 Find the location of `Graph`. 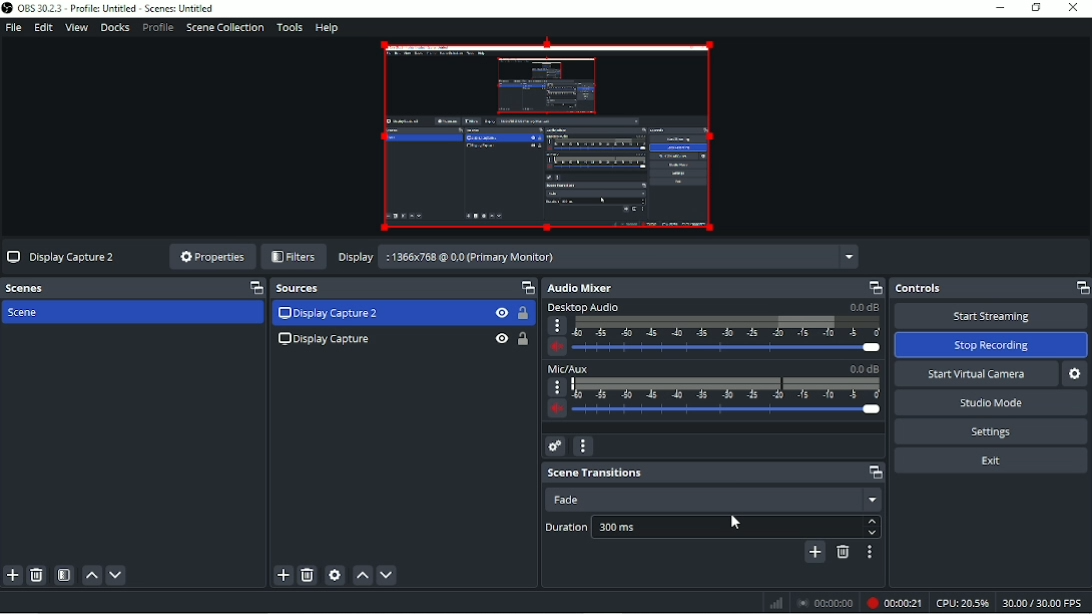

Graph is located at coordinates (776, 604).